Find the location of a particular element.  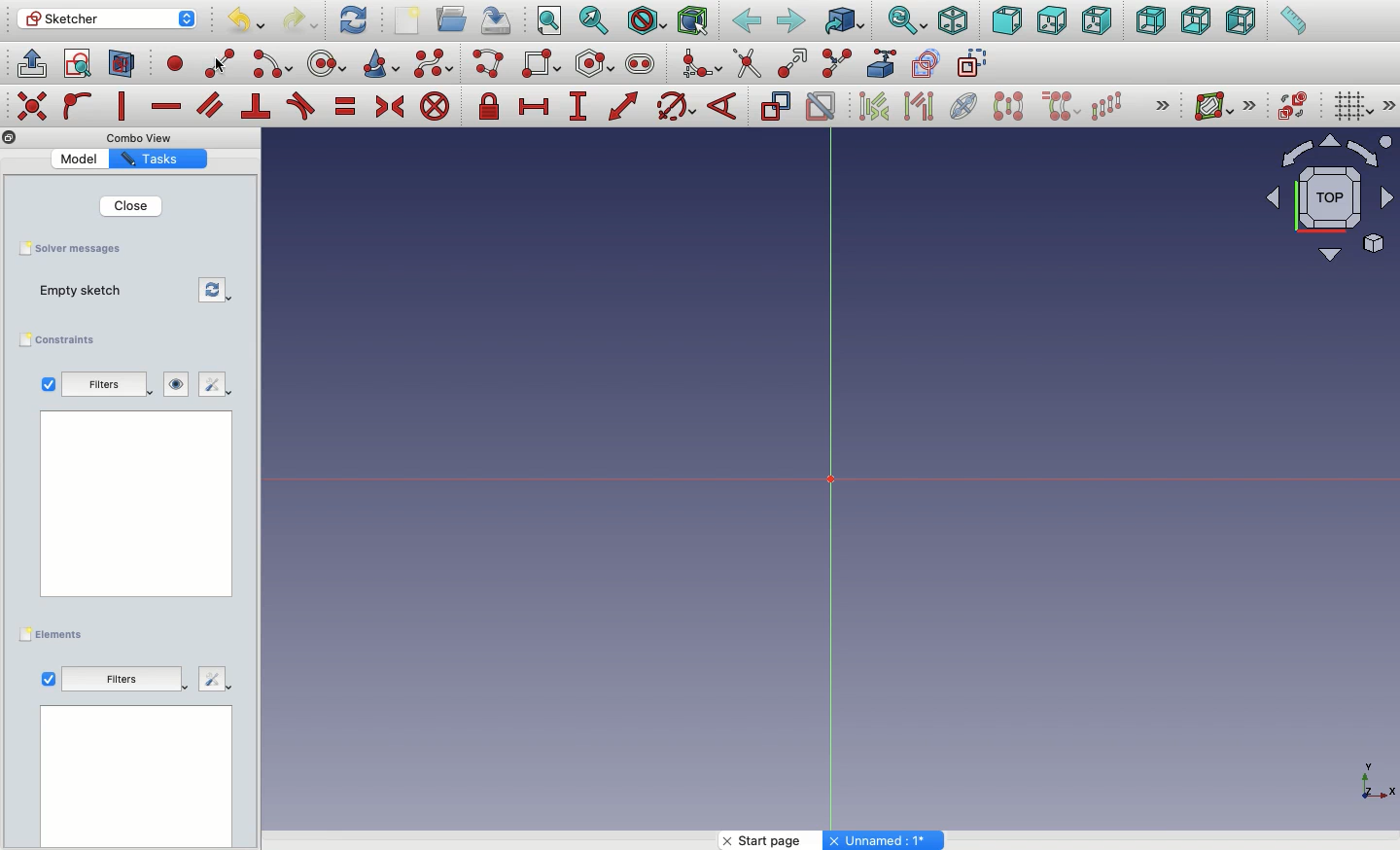

New is located at coordinates (409, 20).